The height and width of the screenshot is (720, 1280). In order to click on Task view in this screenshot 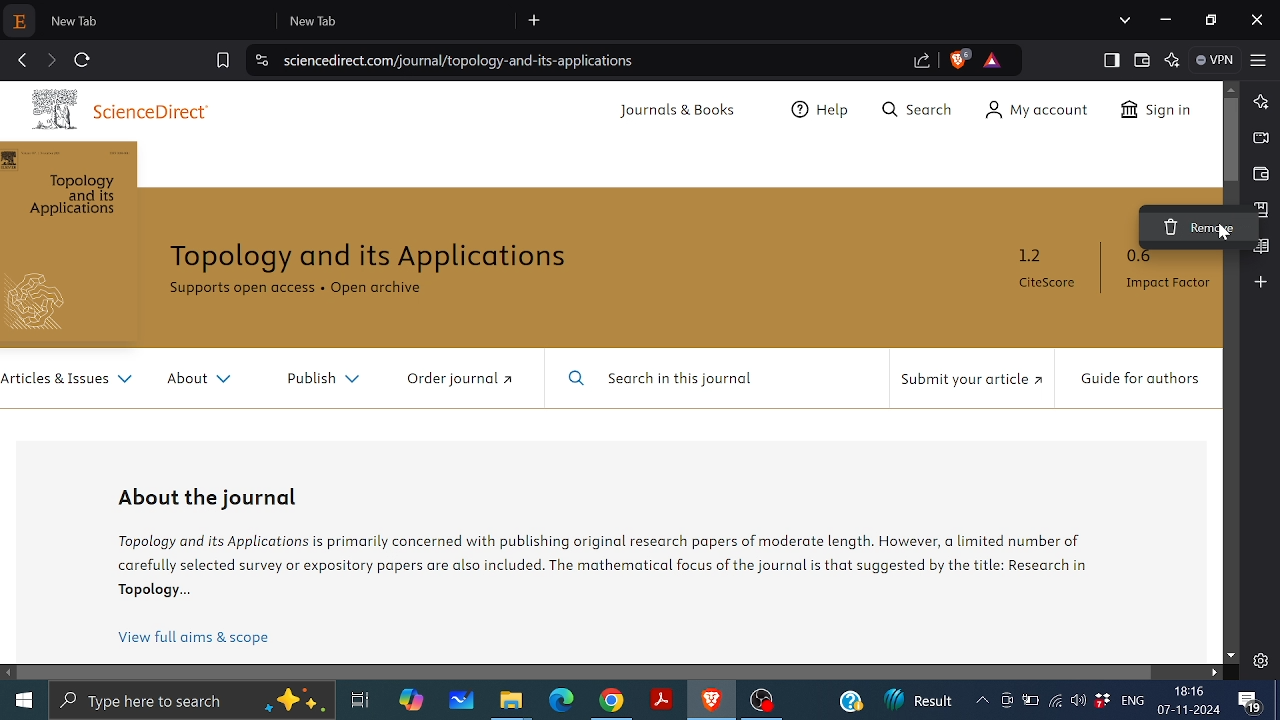, I will do `click(359, 701)`.